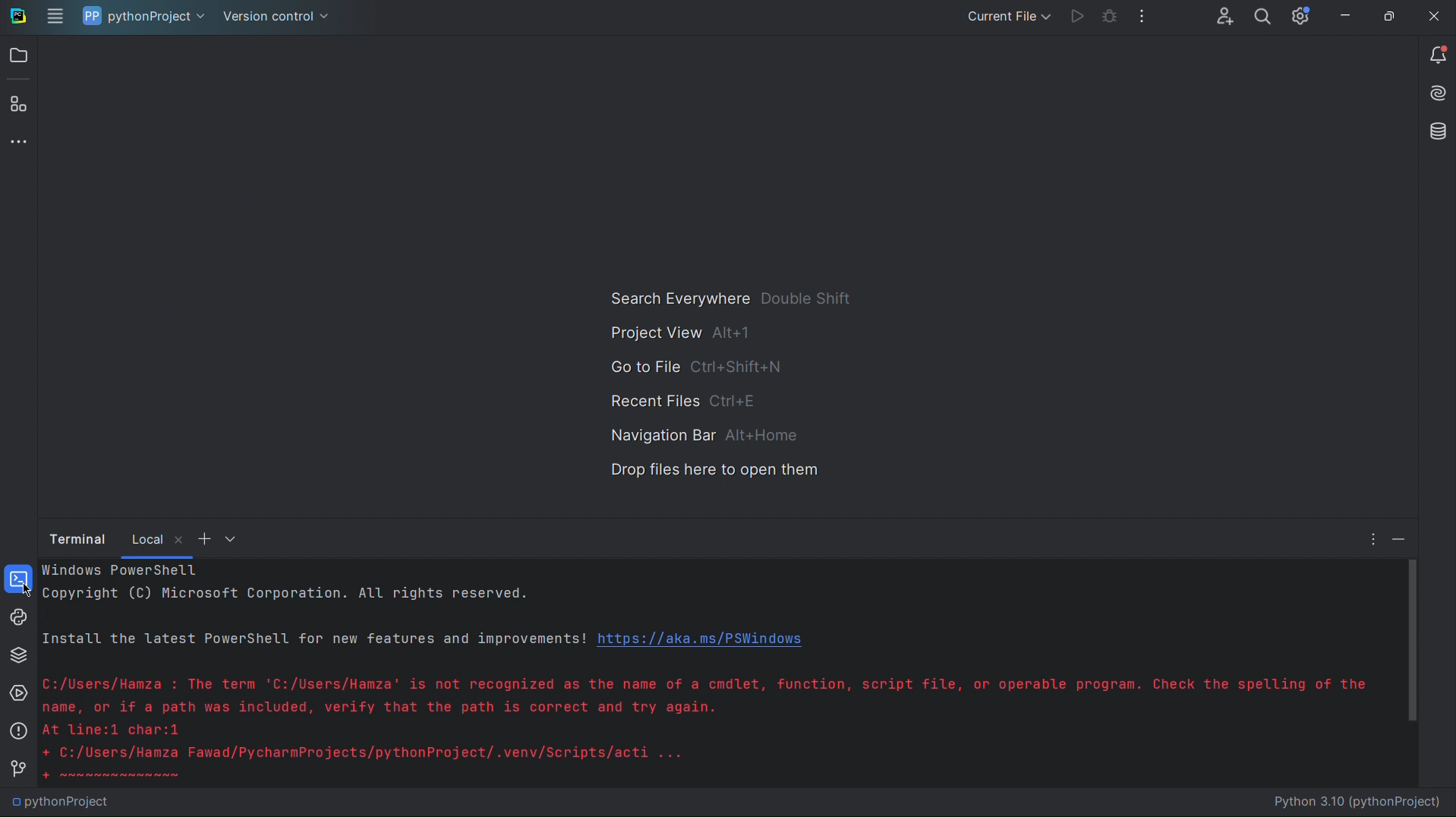 The image size is (1456, 817). What do you see at coordinates (231, 539) in the screenshot?
I see `More options` at bounding box center [231, 539].